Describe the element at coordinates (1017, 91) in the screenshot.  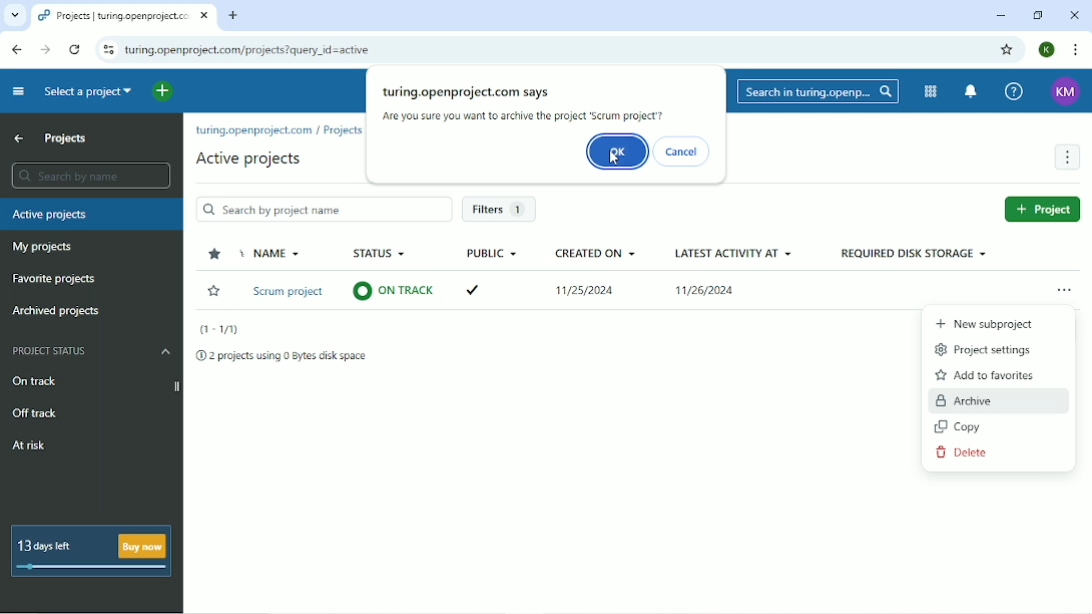
I see `Help` at that location.